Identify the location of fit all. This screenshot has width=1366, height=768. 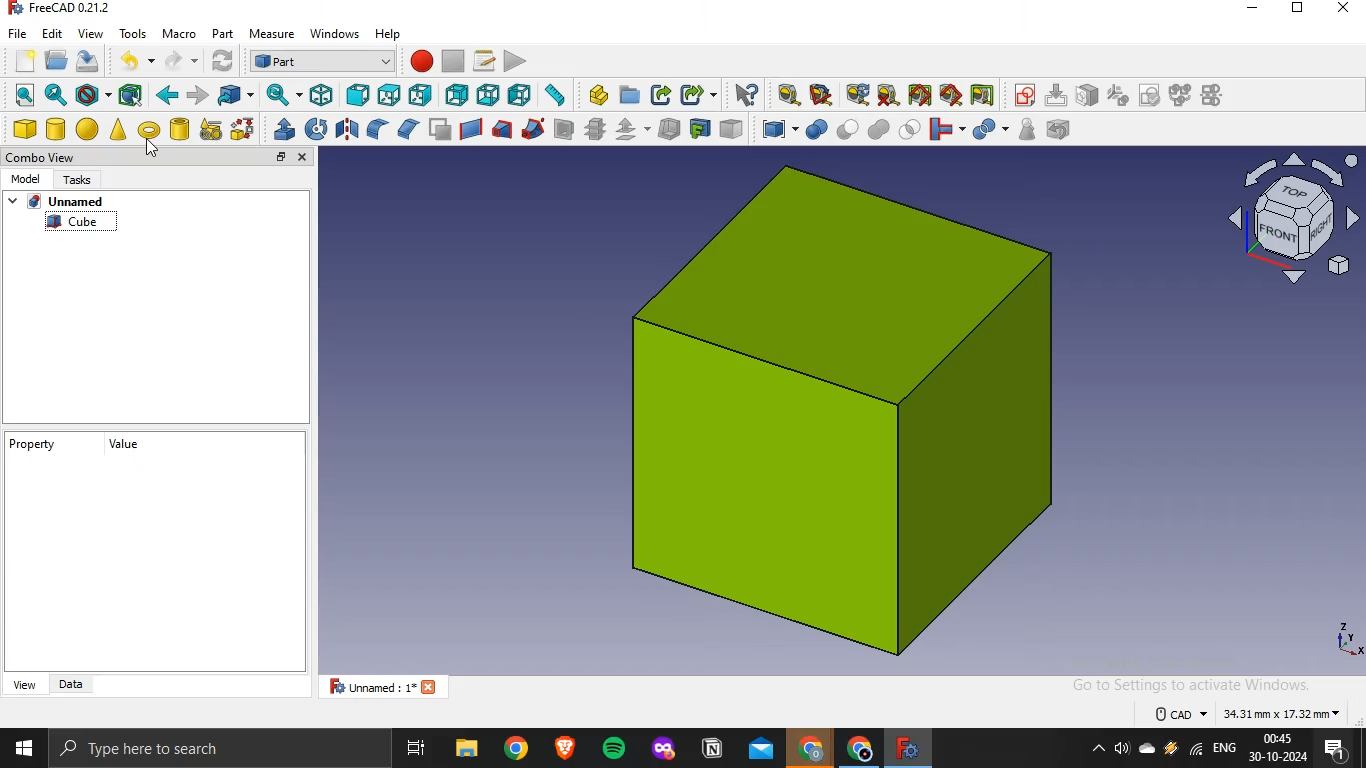
(25, 94).